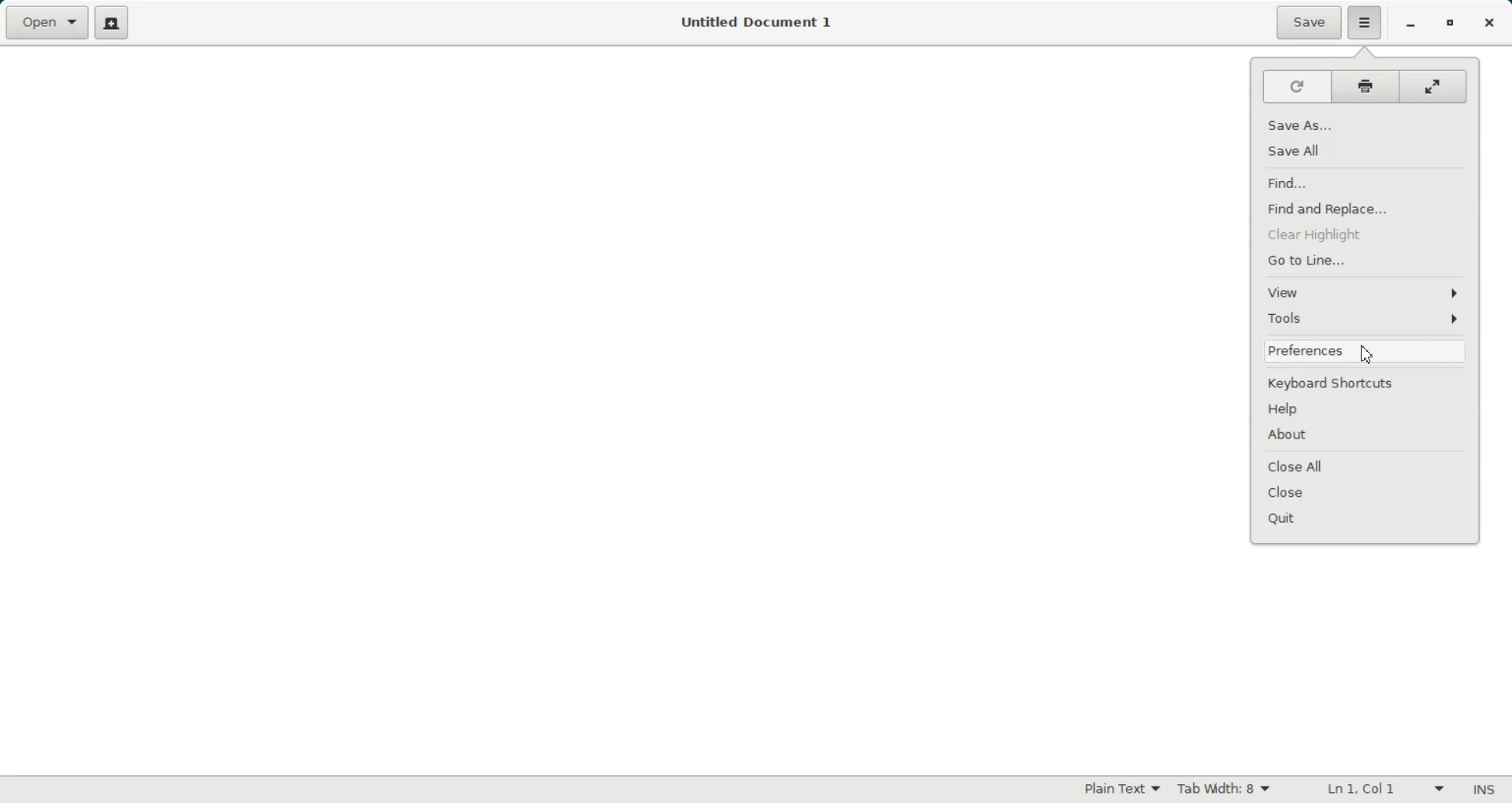 This screenshot has width=1512, height=803. What do you see at coordinates (1362, 352) in the screenshot?
I see `Preferences` at bounding box center [1362, 352].